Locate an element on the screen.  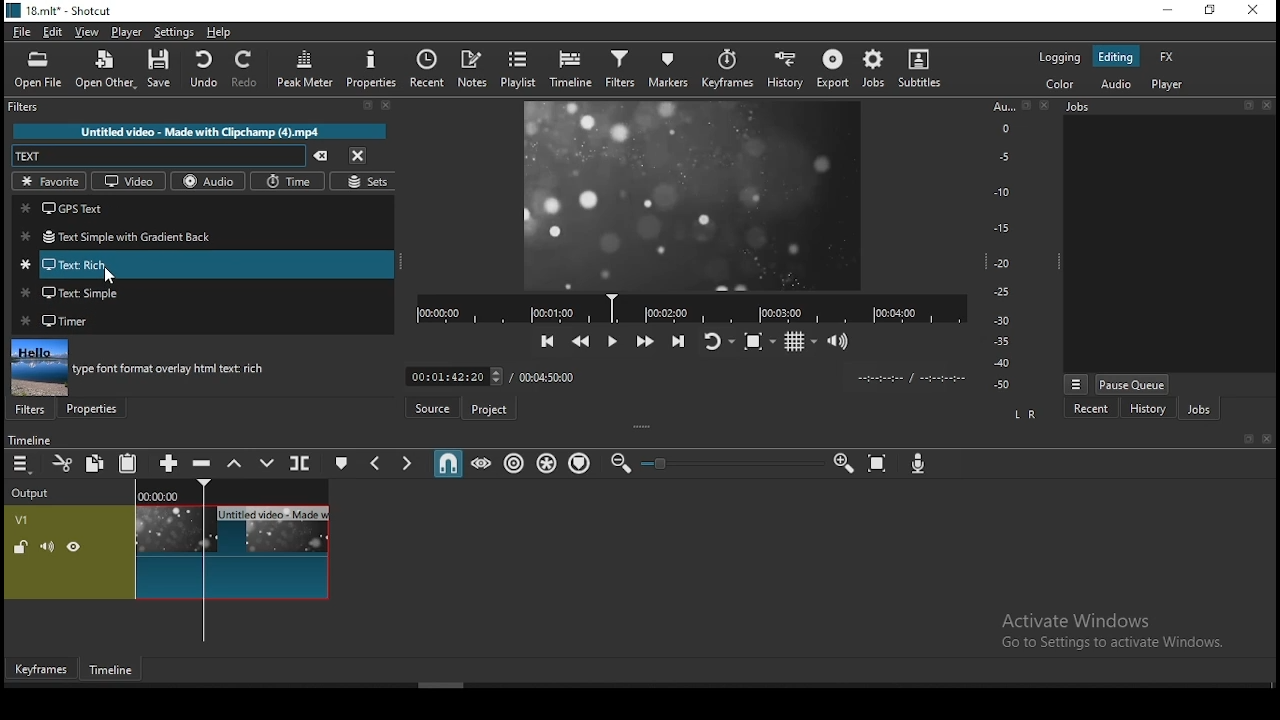
markers is located at coordinates (665, 74).